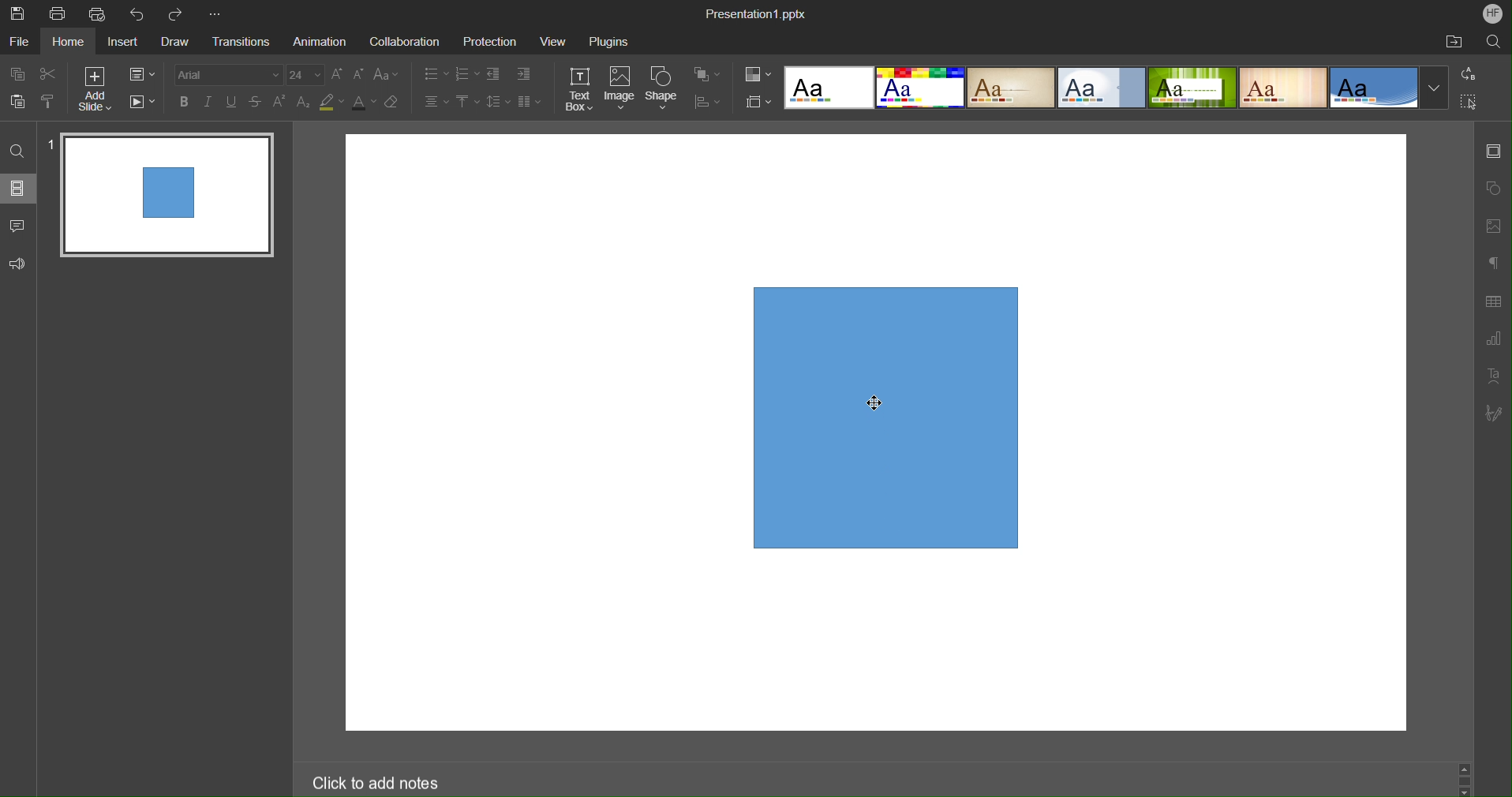 The width and height of the screenshot is (1512, 797). What do you see at coordinates (1495, 148) in the screenshot?
I see `Slide Settings` at bounding box center [1495, 148].